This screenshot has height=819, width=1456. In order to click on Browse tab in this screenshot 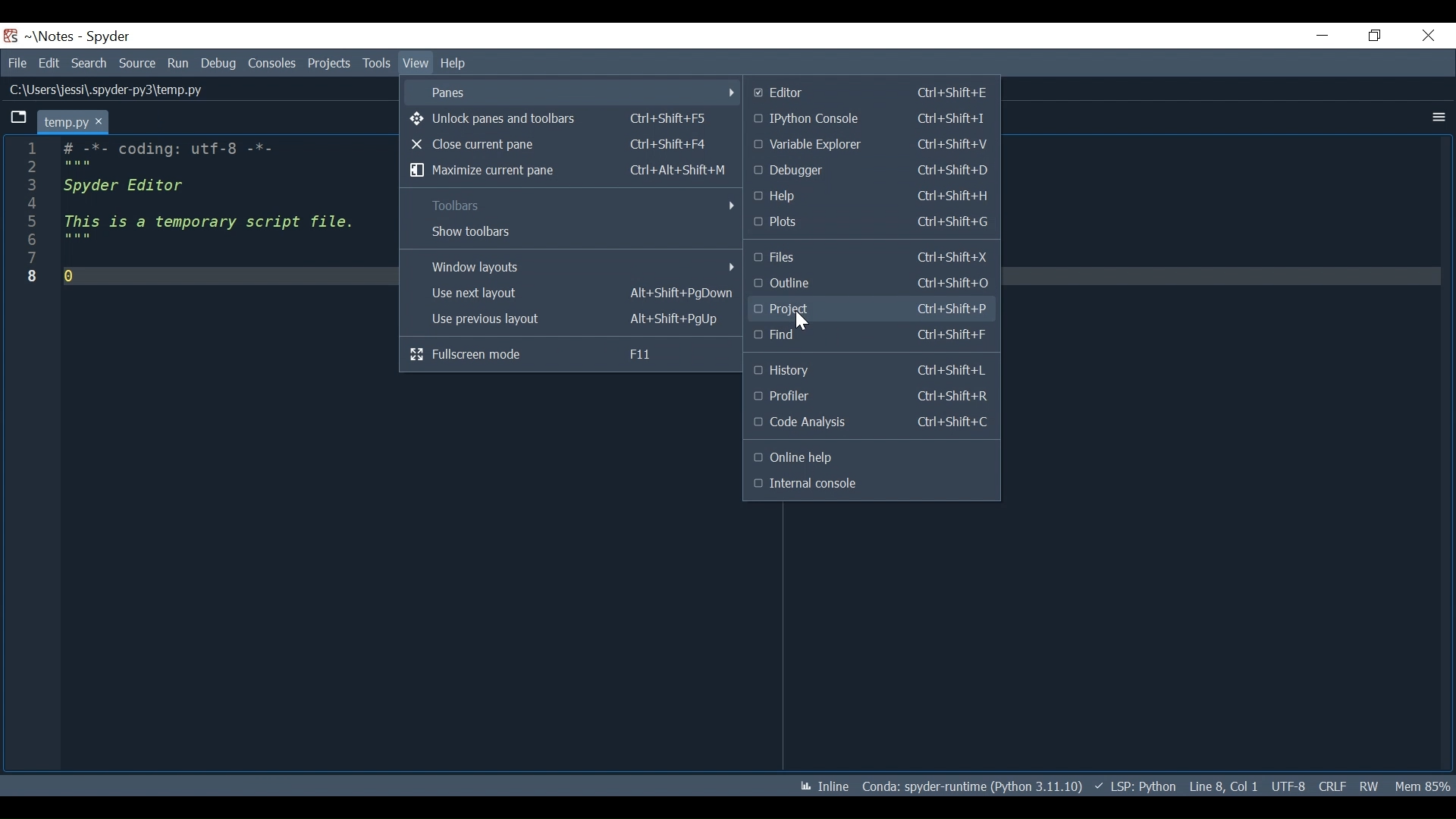, I will do `click(17, 118)`.